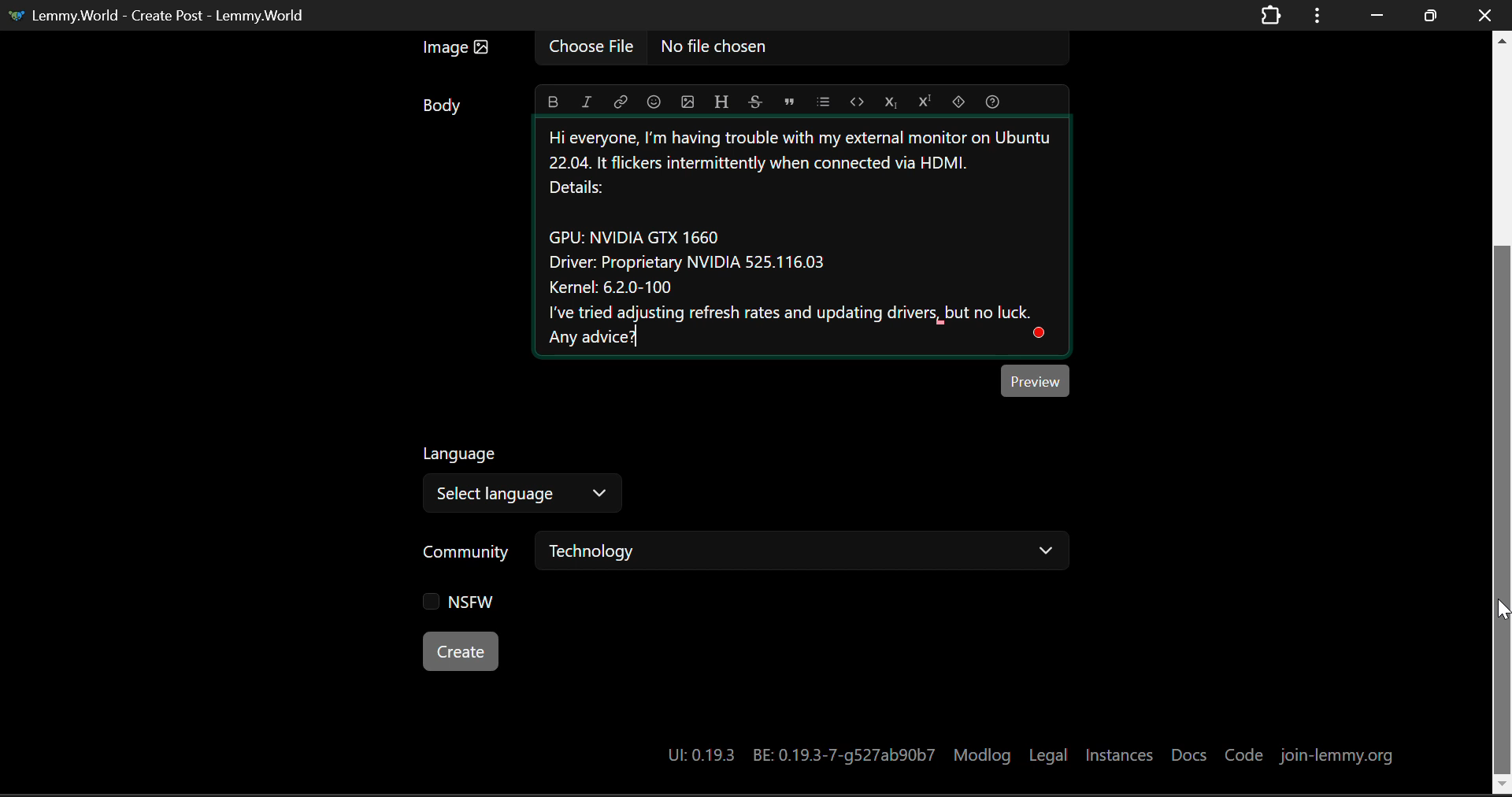 The image size is (1512, 797). I want to click on Post Preview Button, so click(1036, 380).